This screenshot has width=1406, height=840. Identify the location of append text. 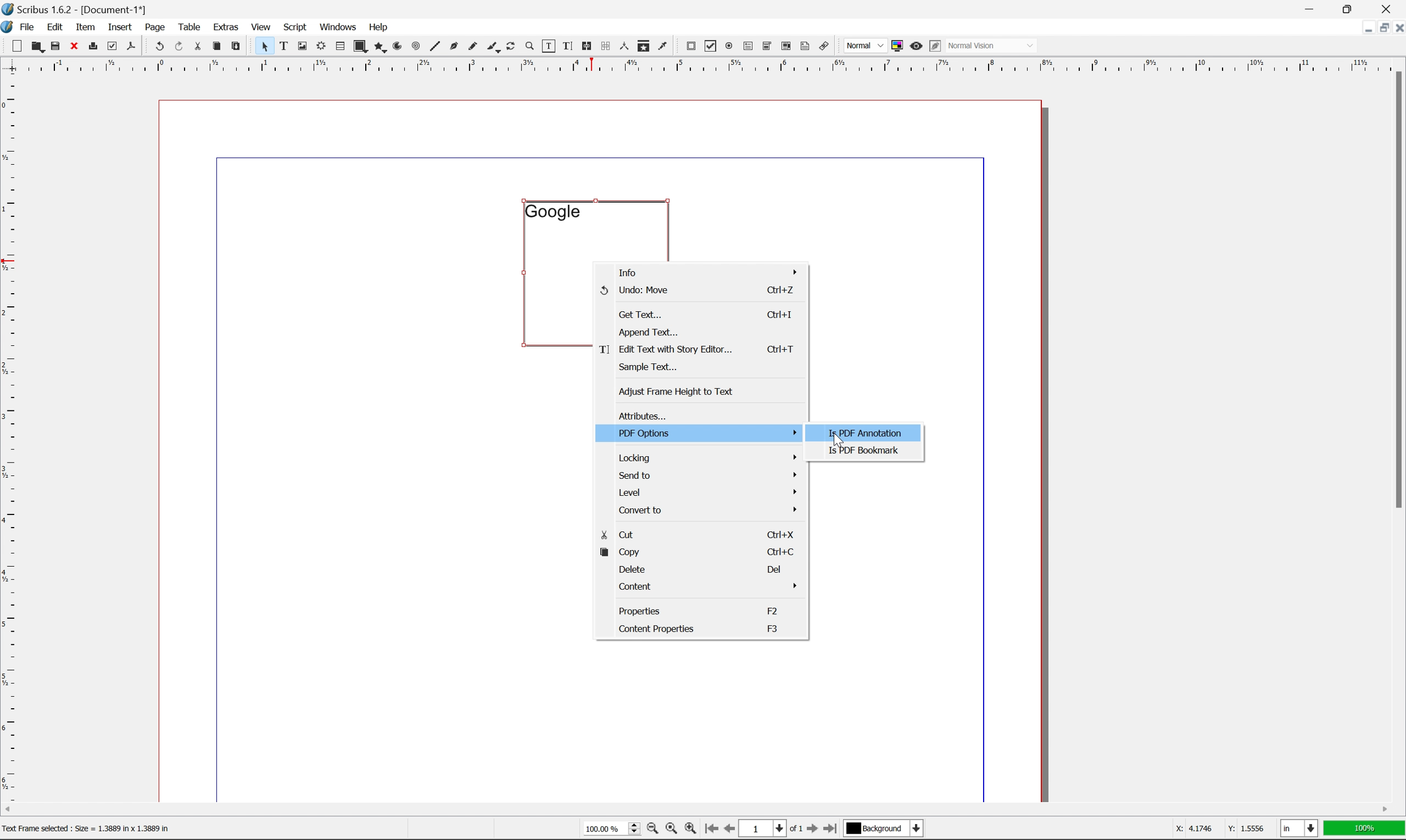
(651, 331).